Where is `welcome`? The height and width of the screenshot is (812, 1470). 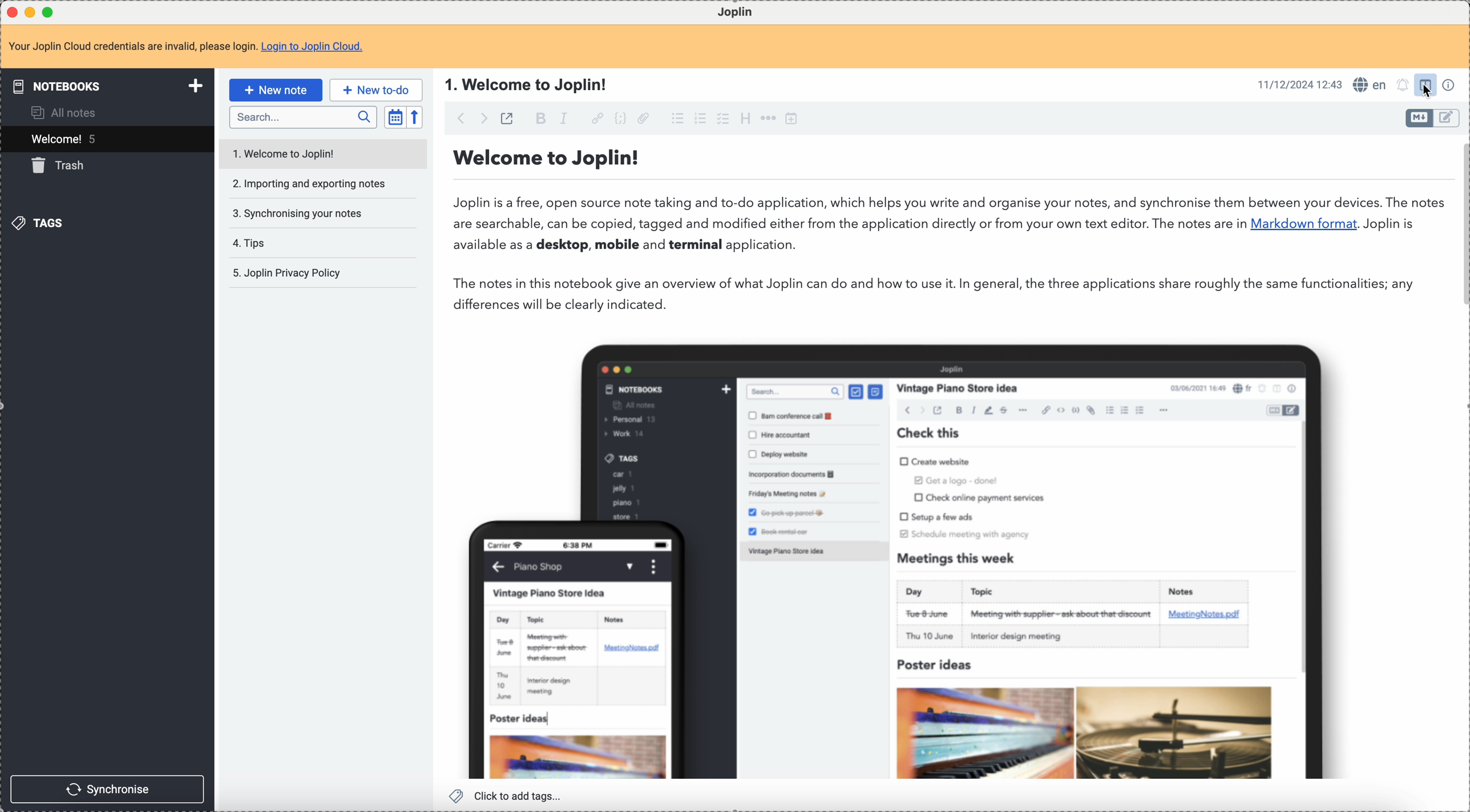
welcome is located at coordinates (105, 139).